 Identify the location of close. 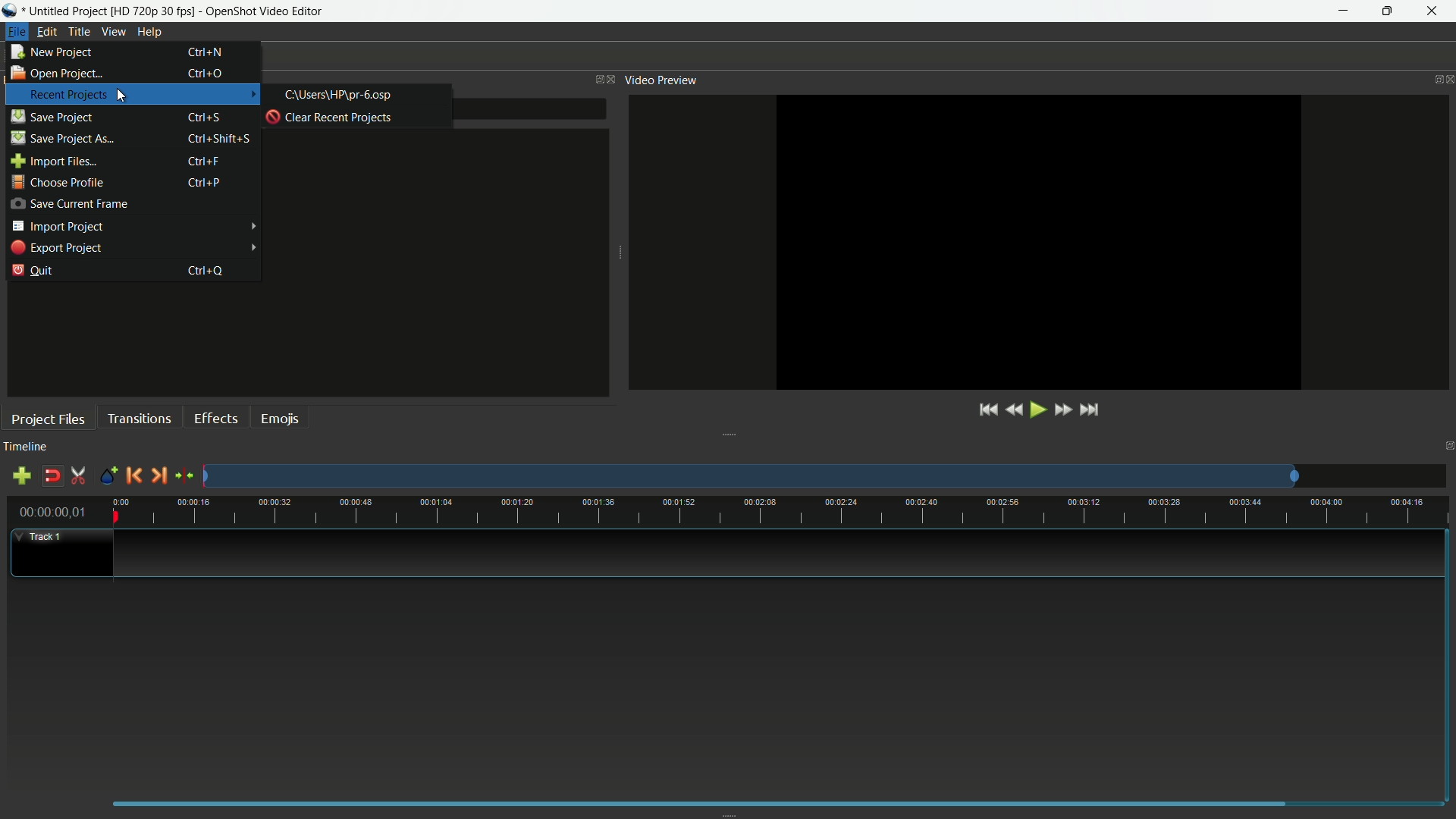
(612, 80).